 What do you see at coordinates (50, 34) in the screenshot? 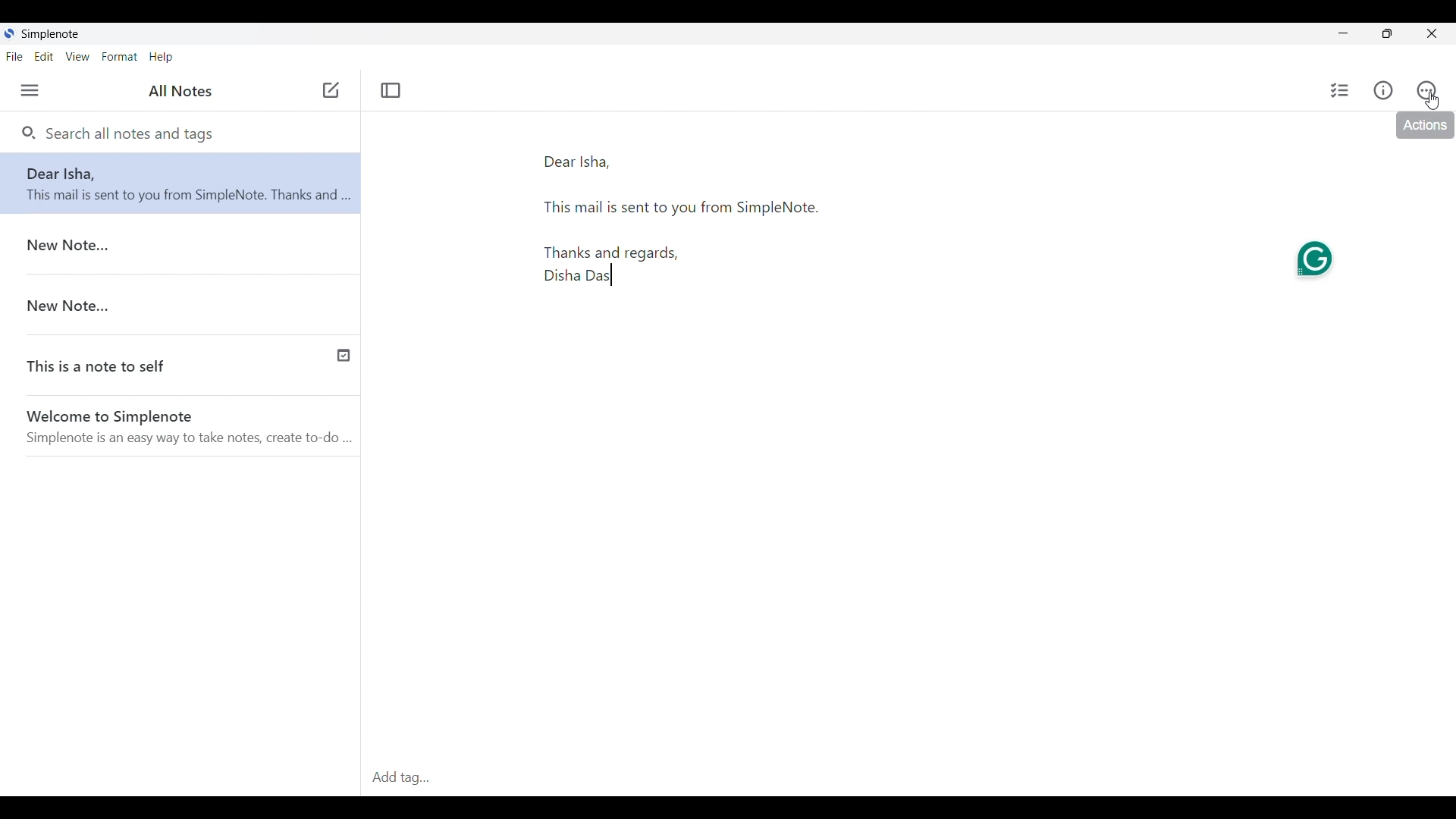
I see `Simplenote` at bounding box center [50, 34].